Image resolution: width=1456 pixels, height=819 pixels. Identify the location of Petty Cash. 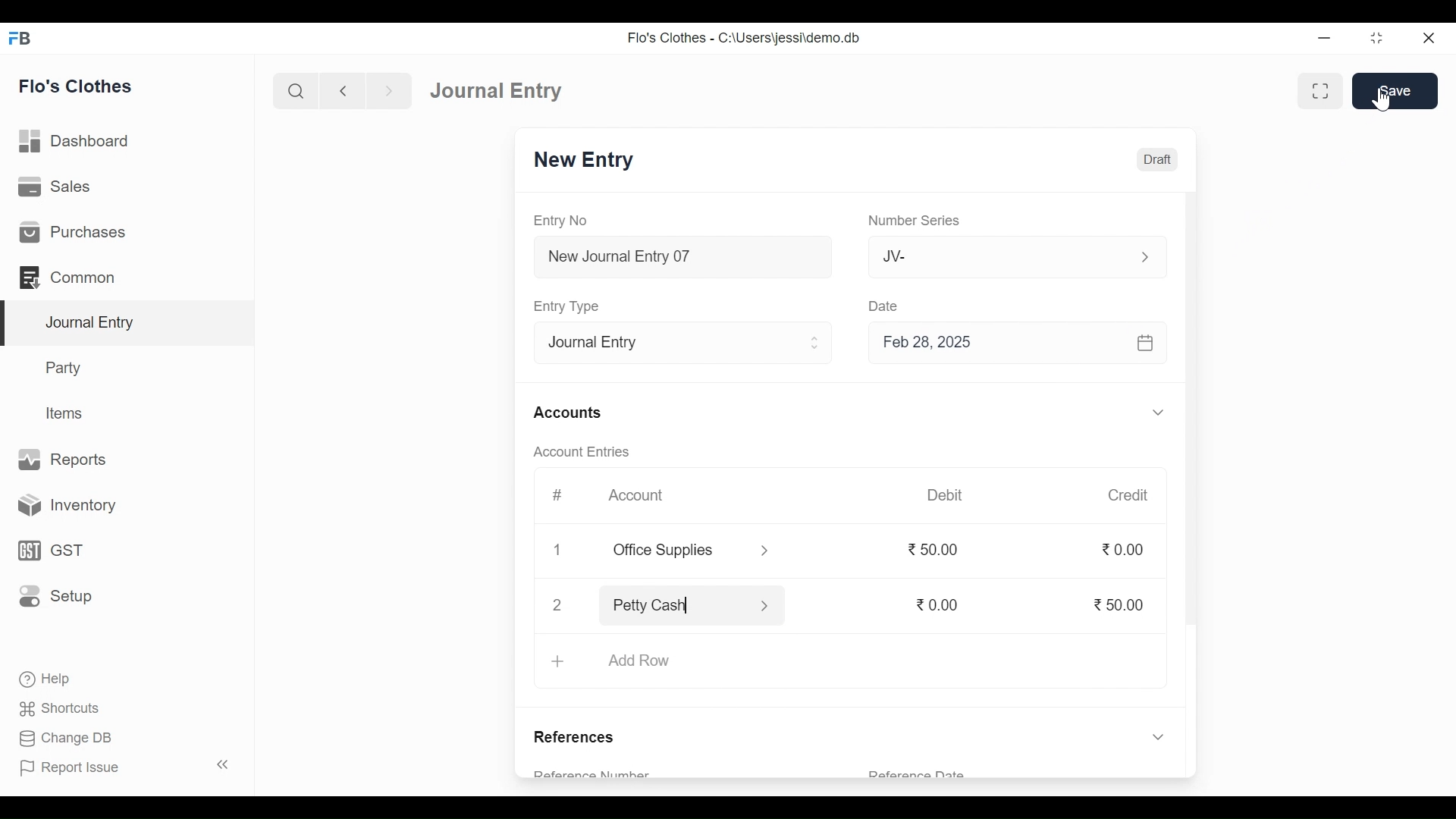
(674, 604).